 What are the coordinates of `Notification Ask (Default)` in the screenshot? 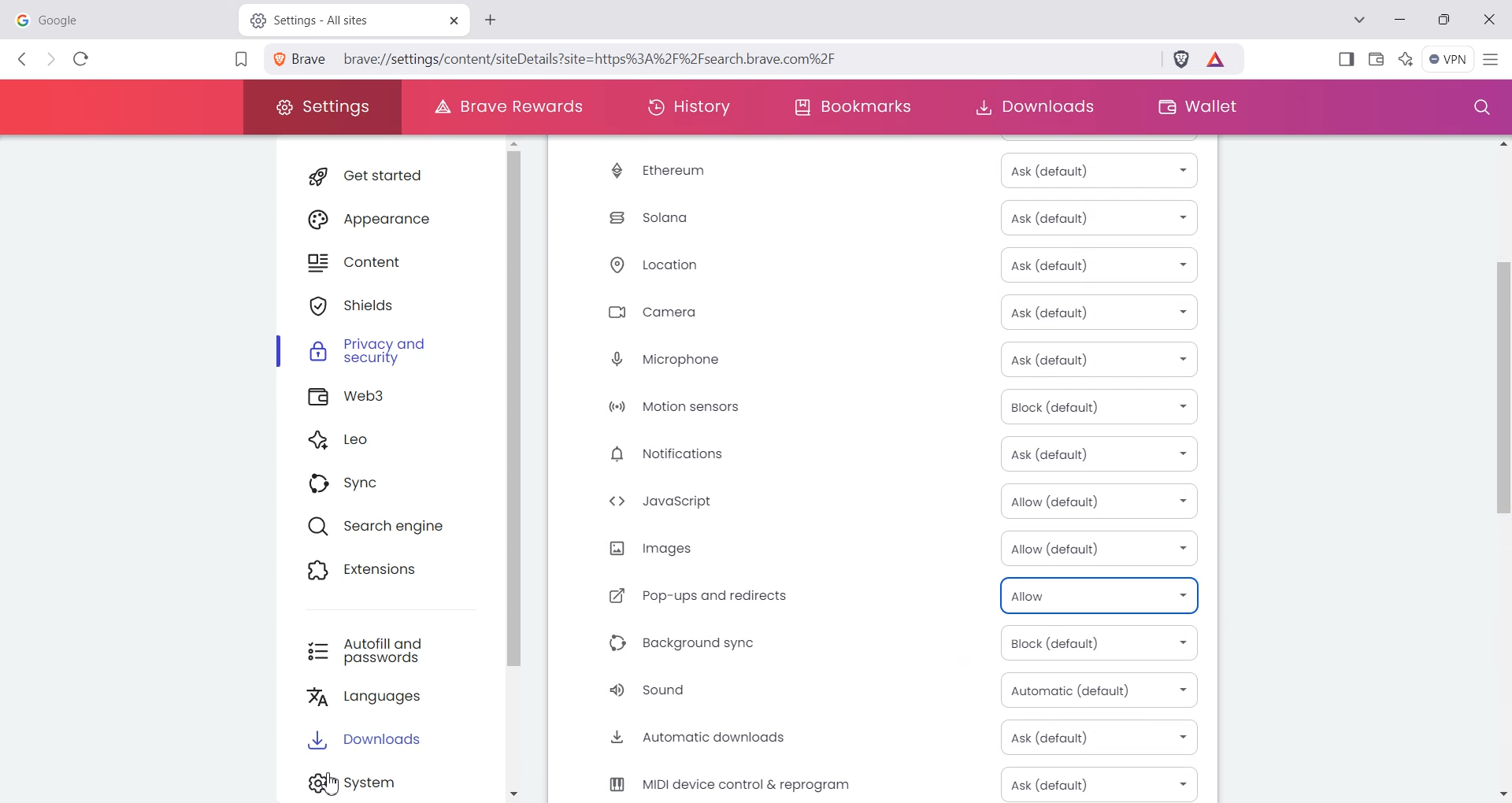 It's located at (886, 454).